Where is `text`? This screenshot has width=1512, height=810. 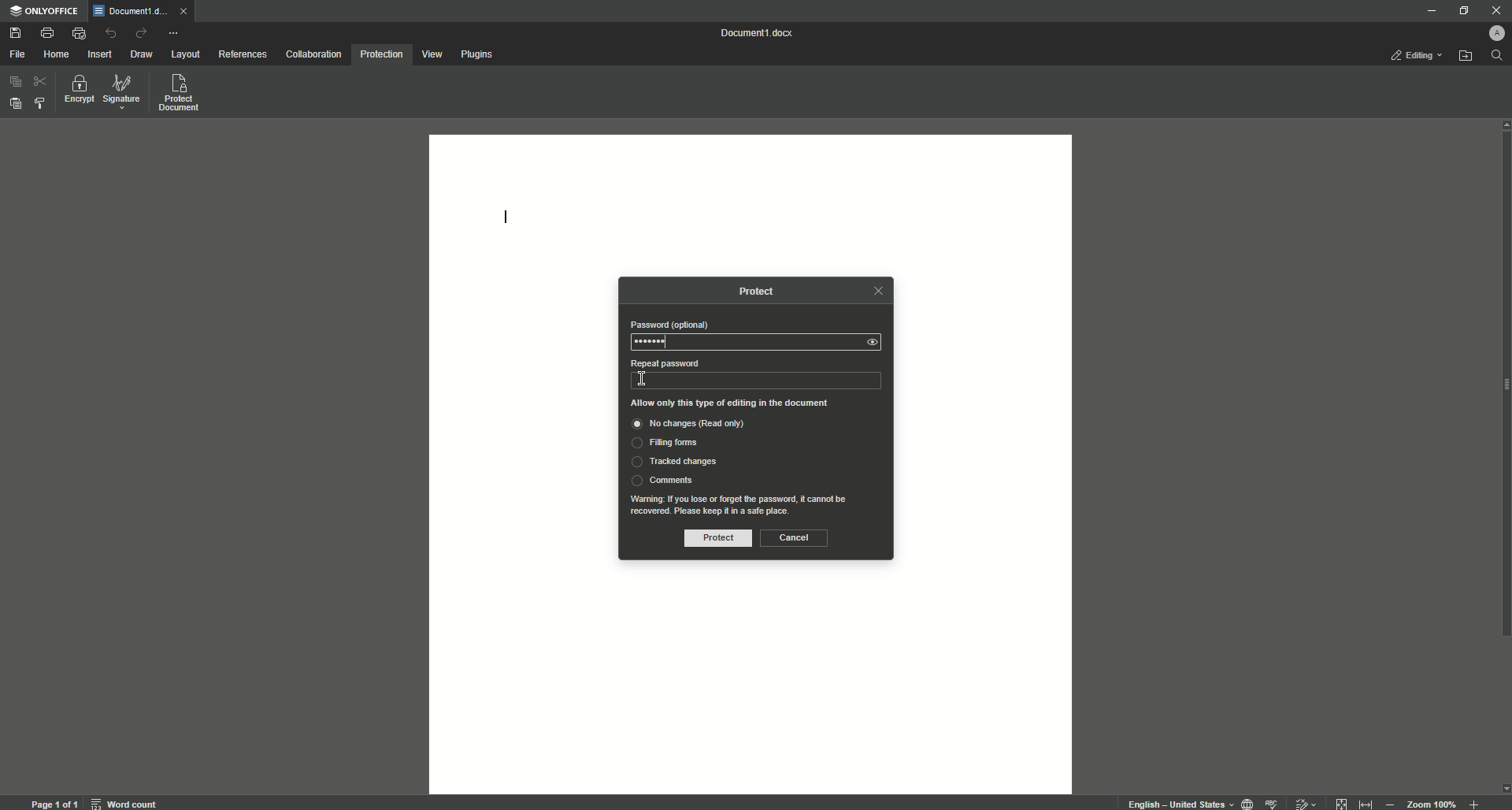
text is located at coordinates (744, 504).